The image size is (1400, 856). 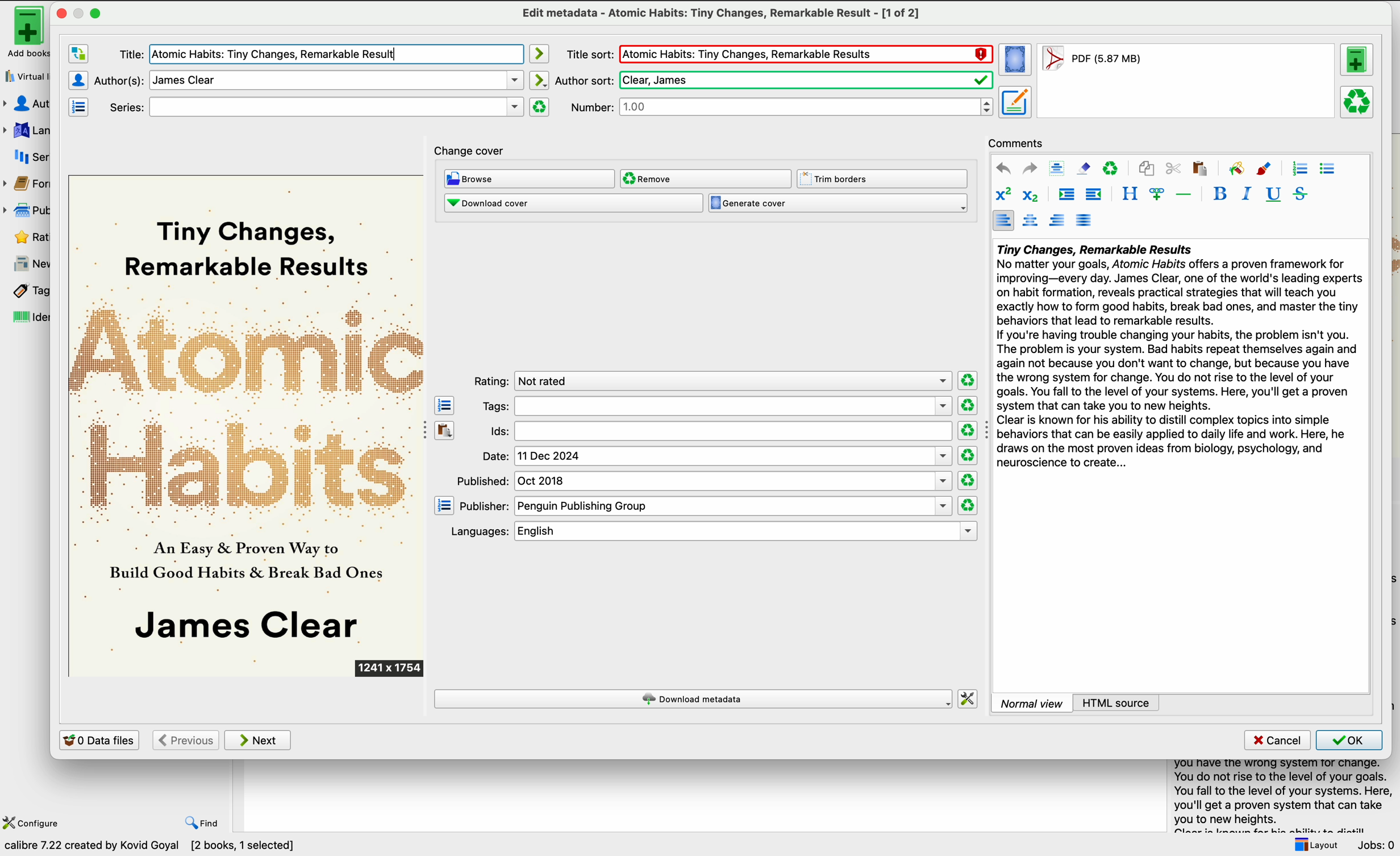 I want to click on copy, so click(x=1148, y=167).